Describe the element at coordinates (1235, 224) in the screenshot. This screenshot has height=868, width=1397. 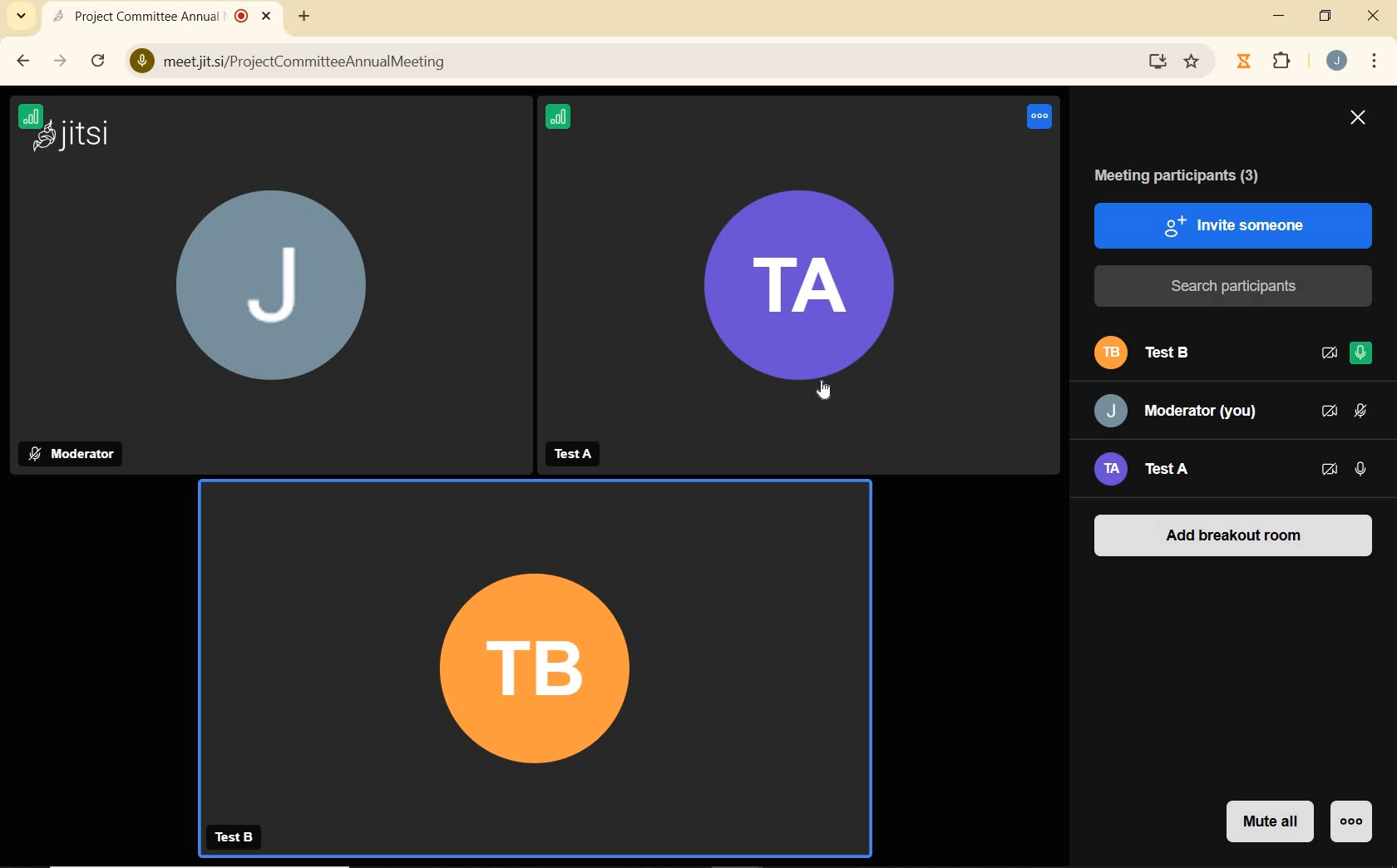
I see `INVITE SOMEONE` at that location.